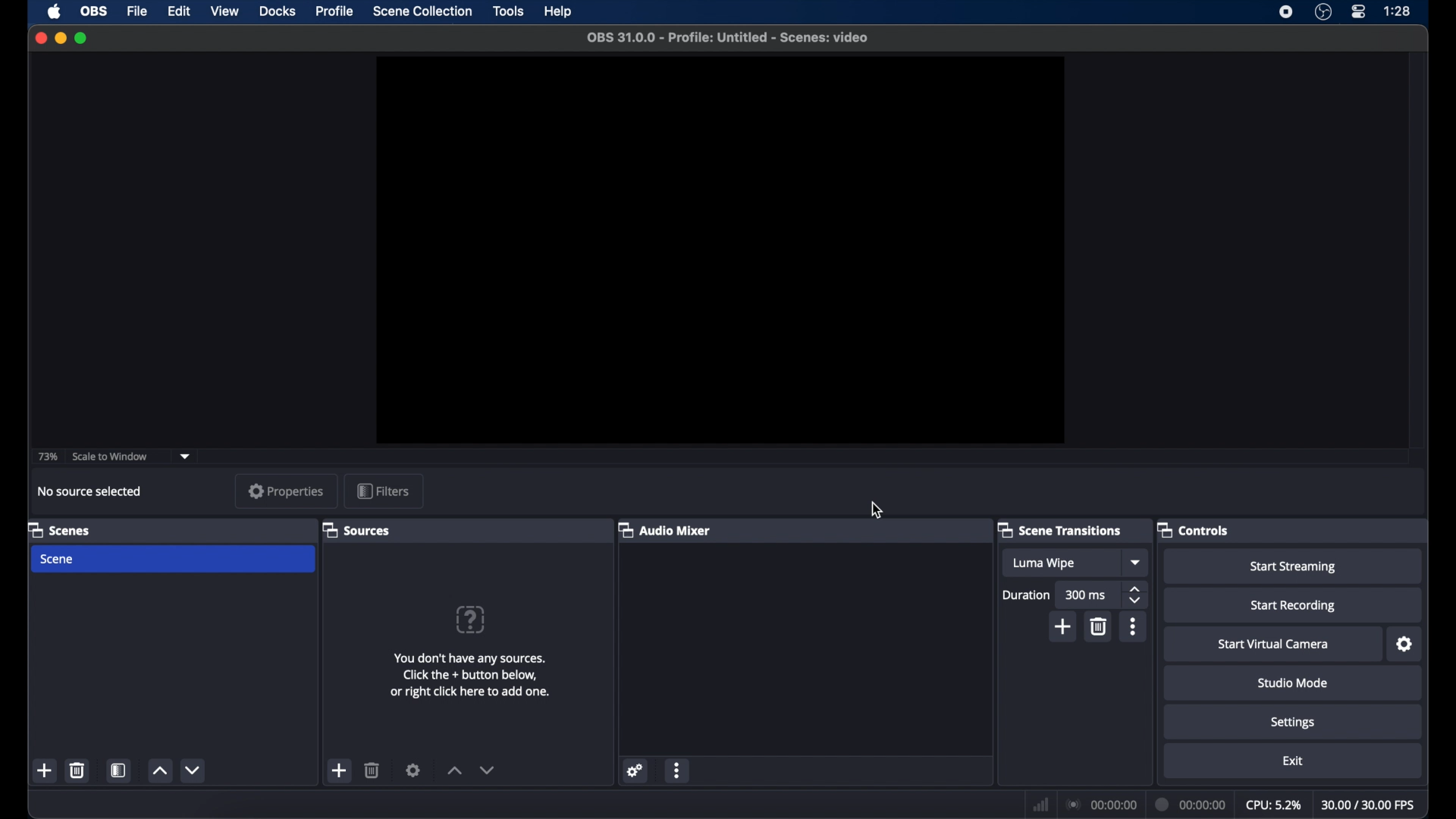  What do you see at coordinates (1359, 12) in the screenshot?
I see `control center` at bounding box center [1359, 12].